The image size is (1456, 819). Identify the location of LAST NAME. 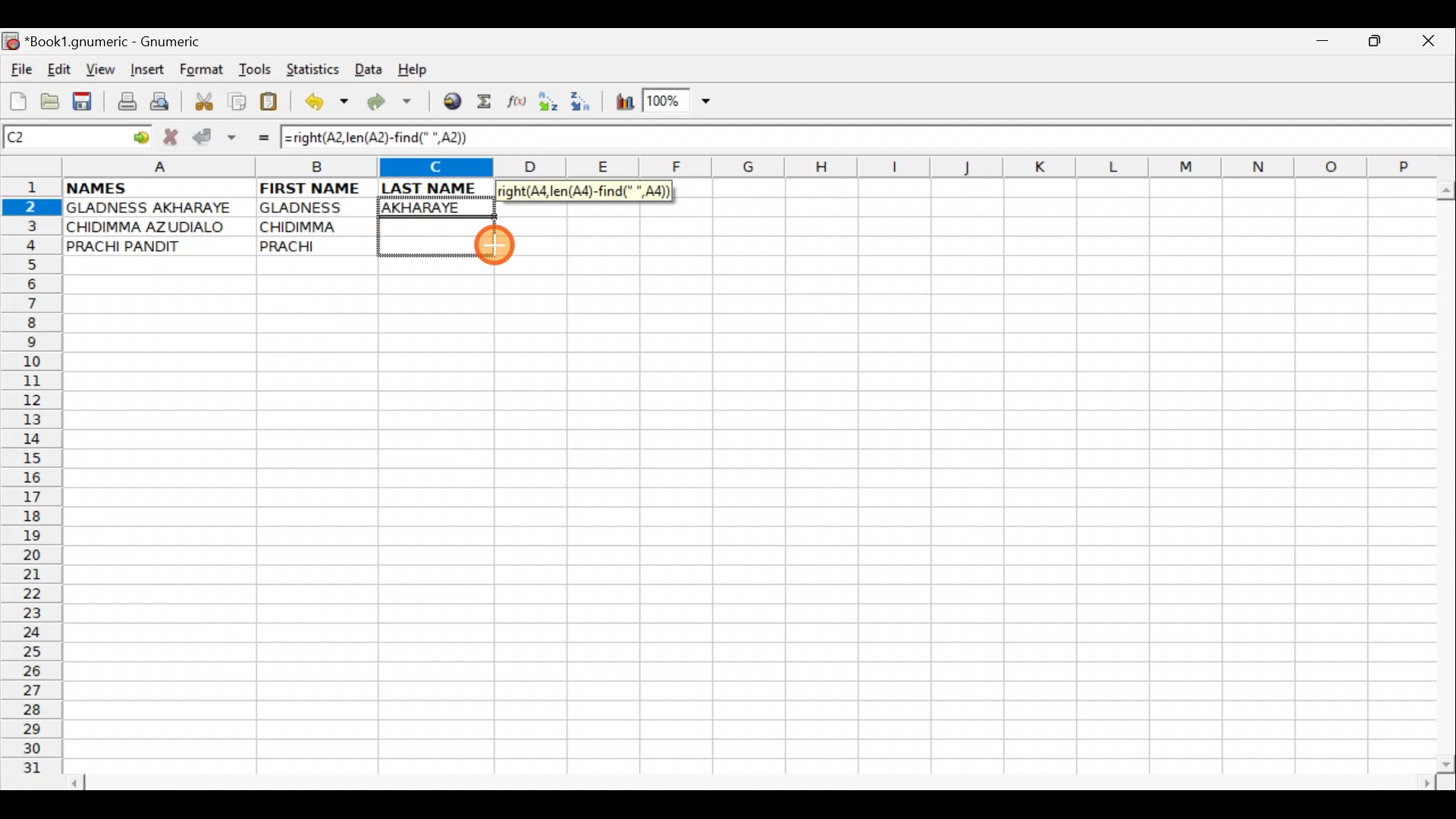
(438, 188).